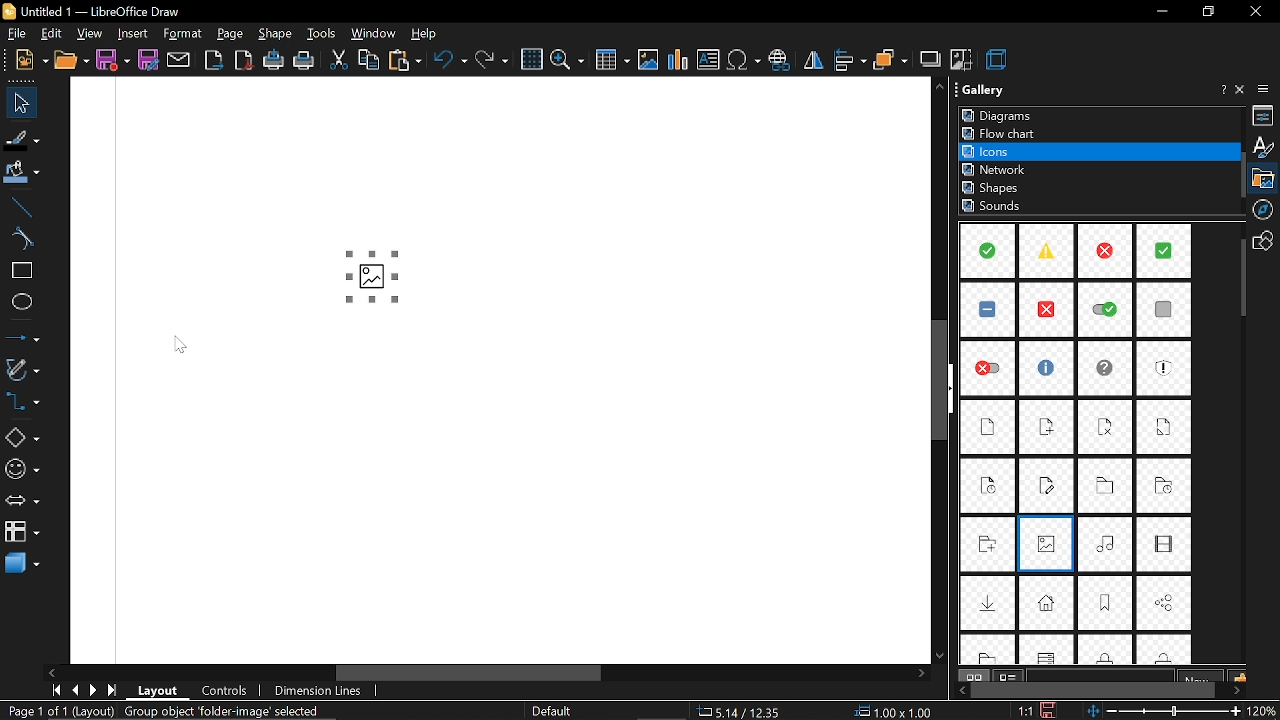 This screenshot has width=1280, height=720. Describe the element at coordinates (16, 34) in the screenshot. I see `file` at that location.